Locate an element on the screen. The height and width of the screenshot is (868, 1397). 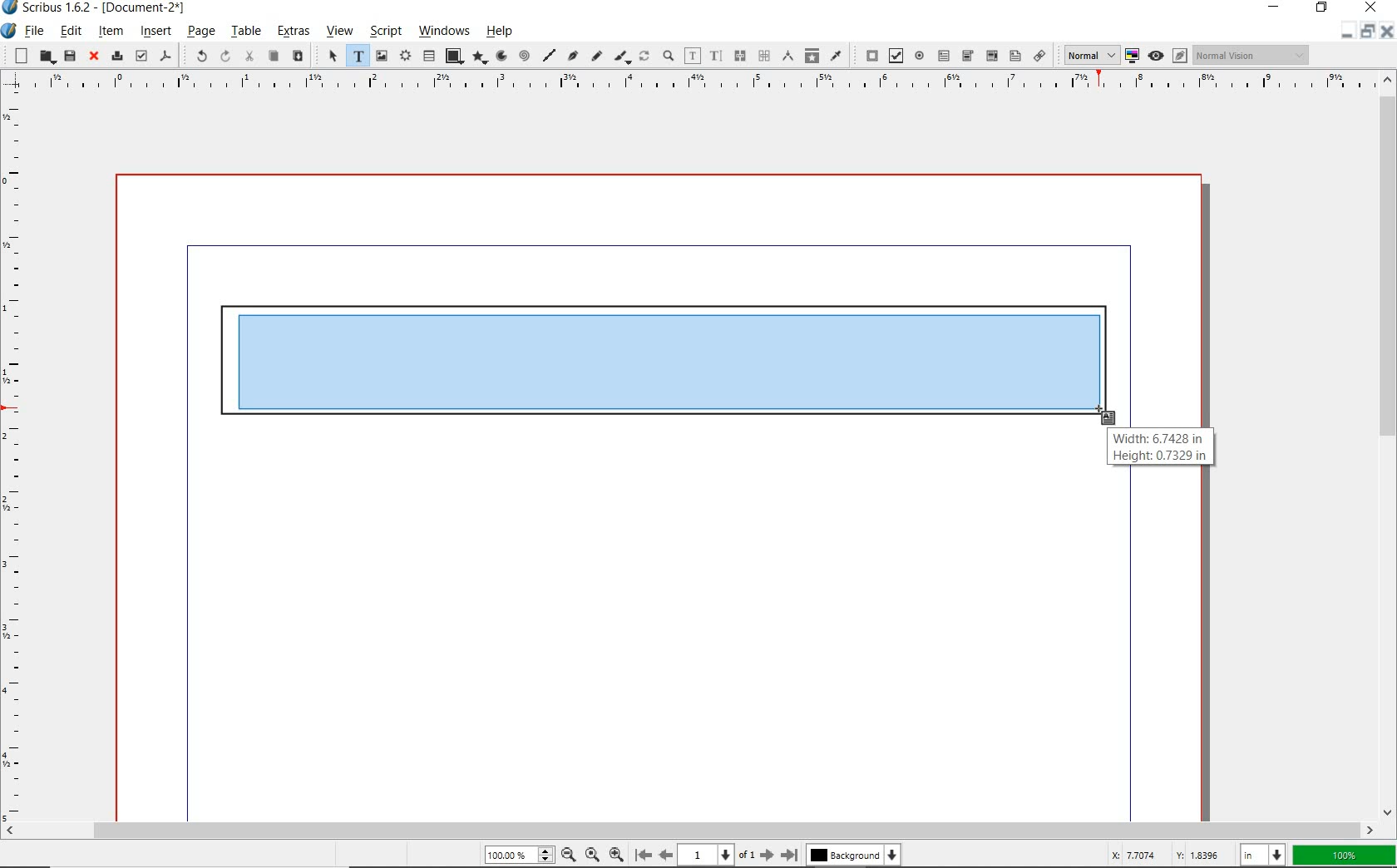
close is located at coordinates (95, 57).